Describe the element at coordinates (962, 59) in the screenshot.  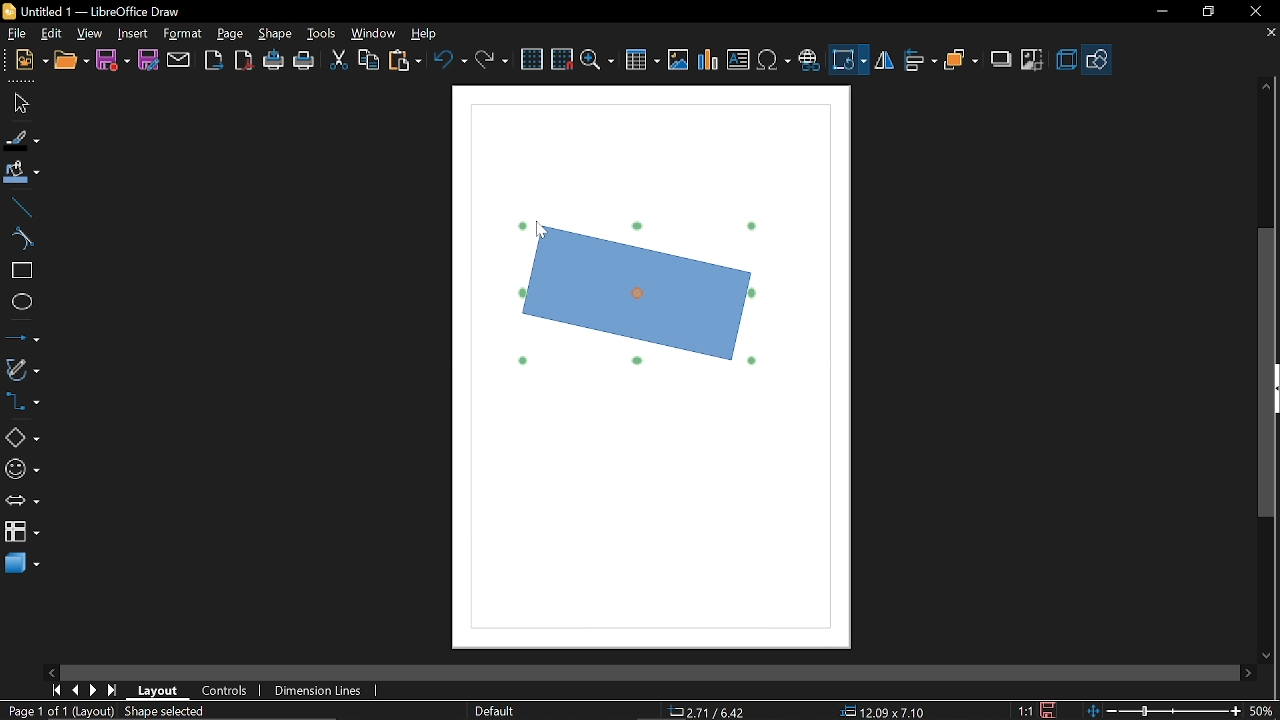
I see `arrange` at that location.